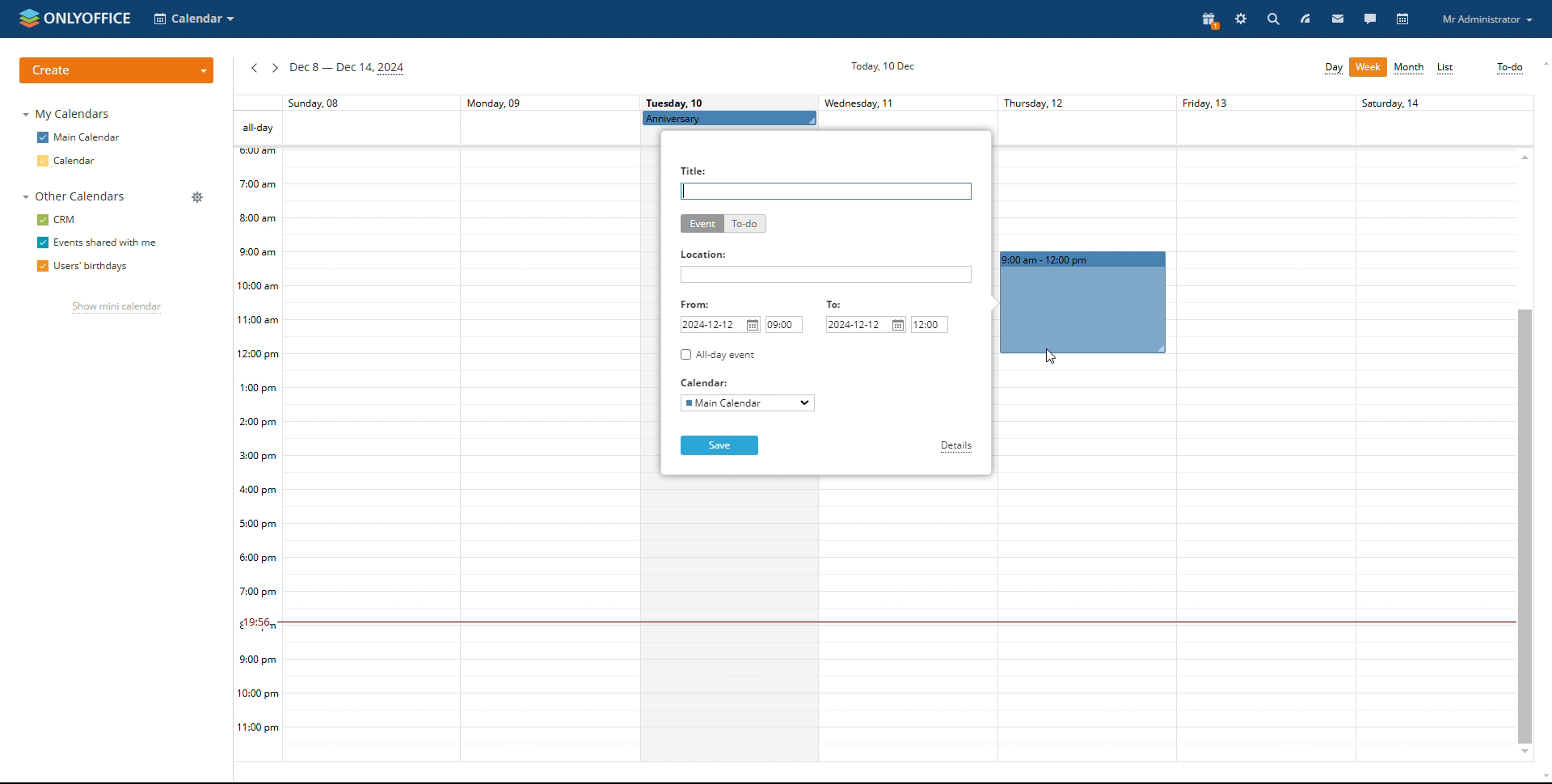 This screenshot has height=784, width=1552. I want to click on present, so click(1206, 20).